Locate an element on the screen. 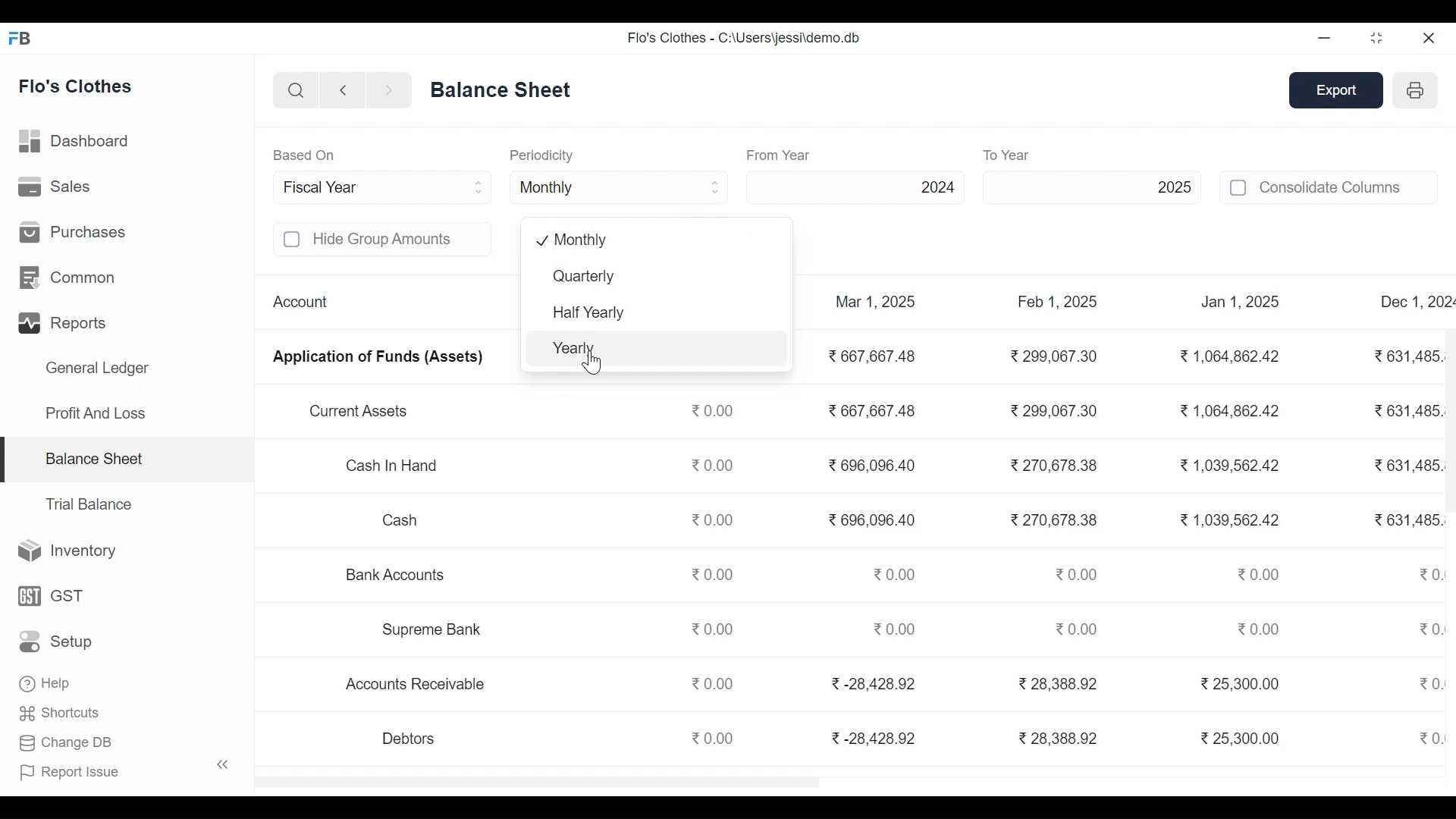  checkbox is located at coordinates (1239, 187).